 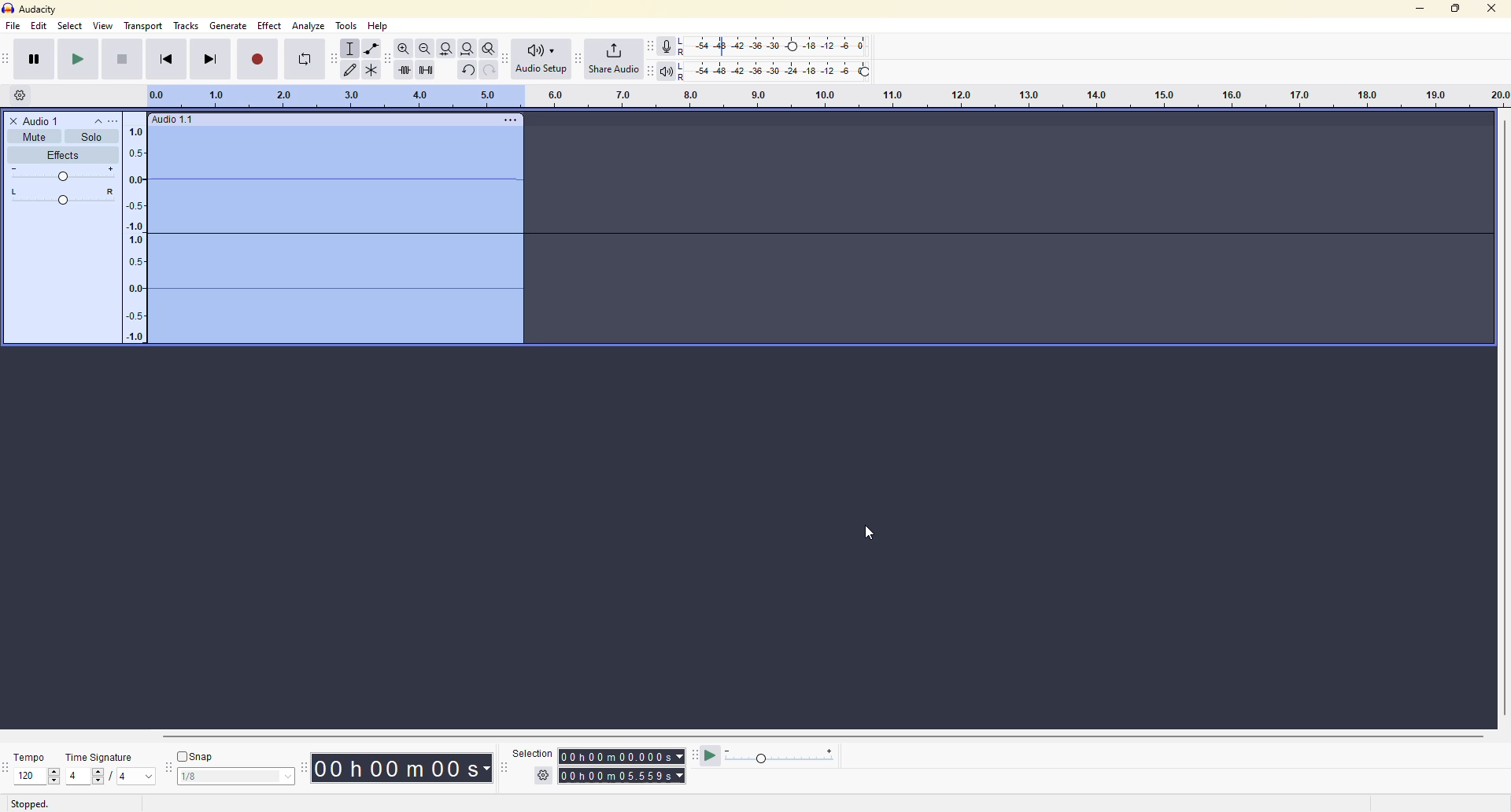 What do you see at coordinates (187, 27) in the screenshot?
I see `tracks` at bounding box center [187, 27].